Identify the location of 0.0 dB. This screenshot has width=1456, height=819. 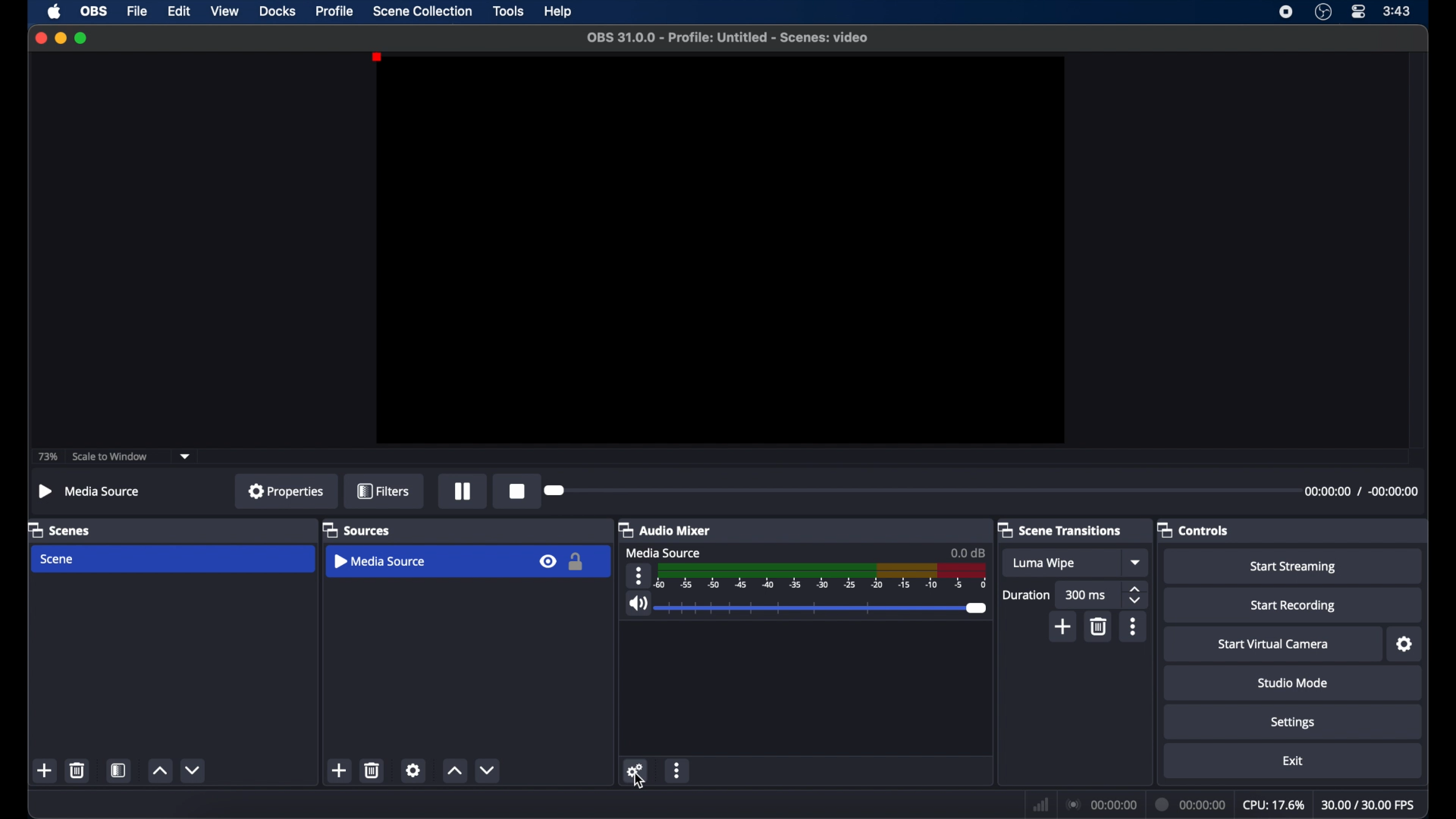
(968, 552).